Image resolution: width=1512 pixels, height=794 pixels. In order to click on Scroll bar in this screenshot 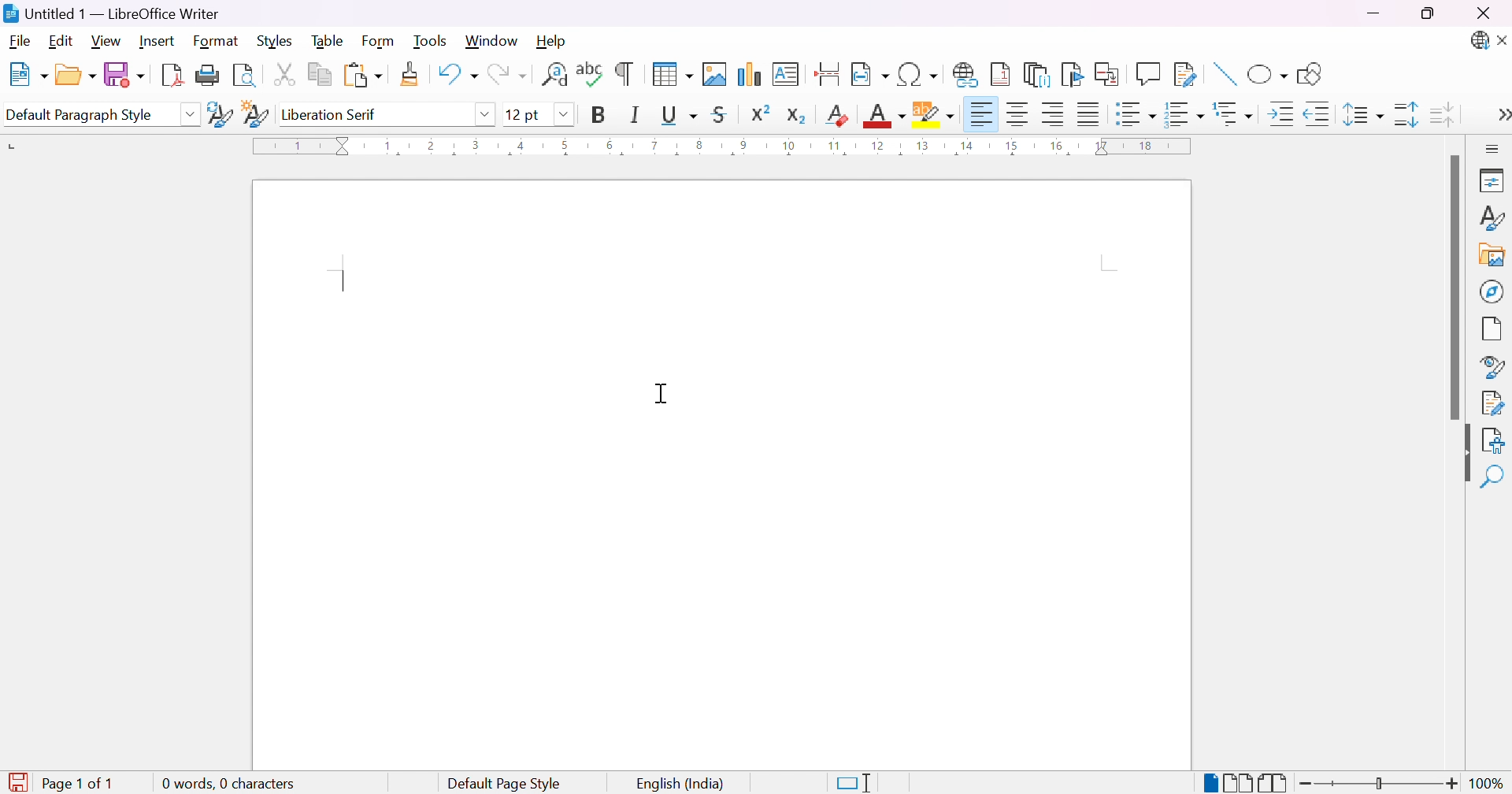, I will do `click(1453, 288)`.